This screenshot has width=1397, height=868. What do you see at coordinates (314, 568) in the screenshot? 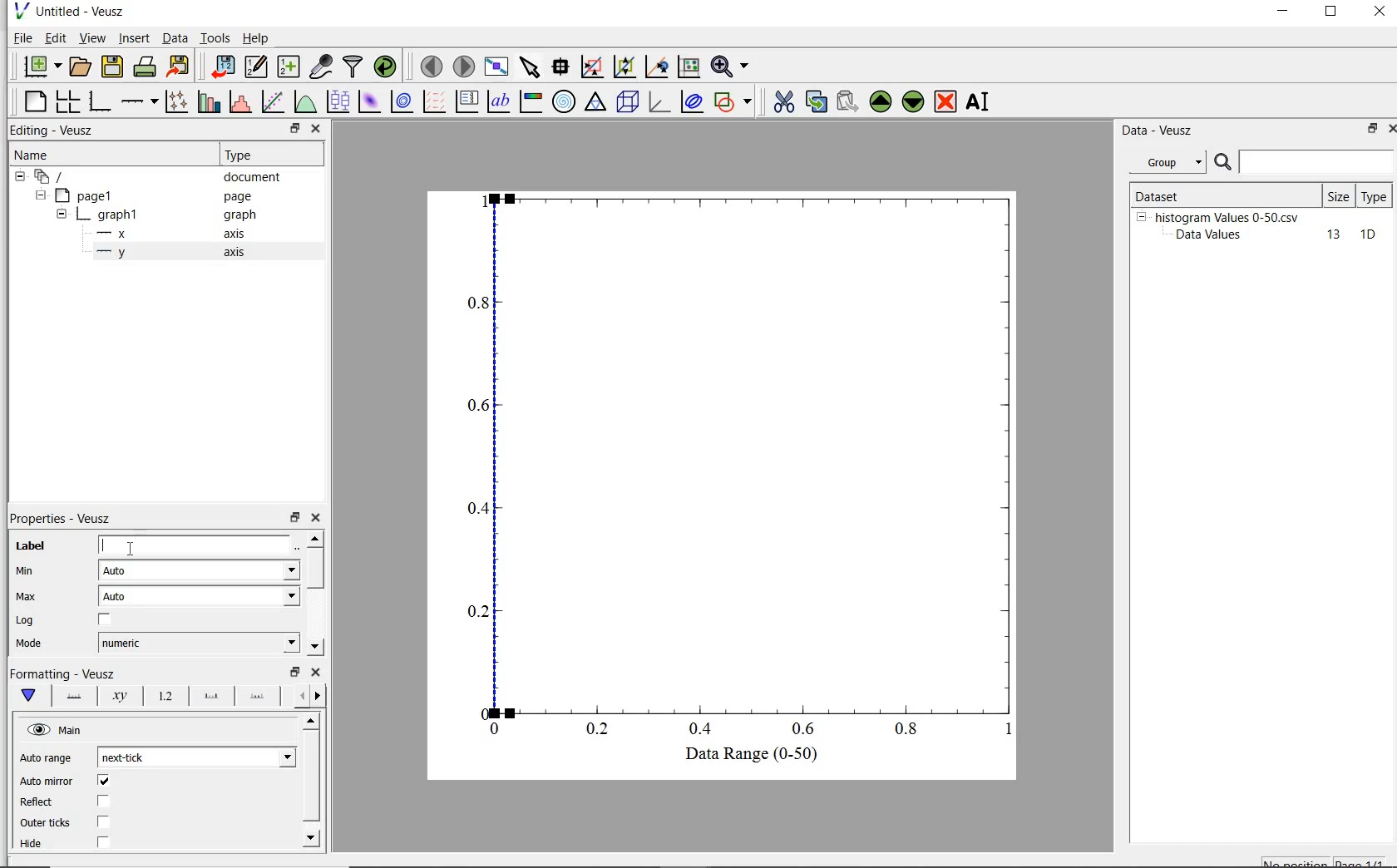
I see `vertical scrollbar` at bounding box center [314, 568].